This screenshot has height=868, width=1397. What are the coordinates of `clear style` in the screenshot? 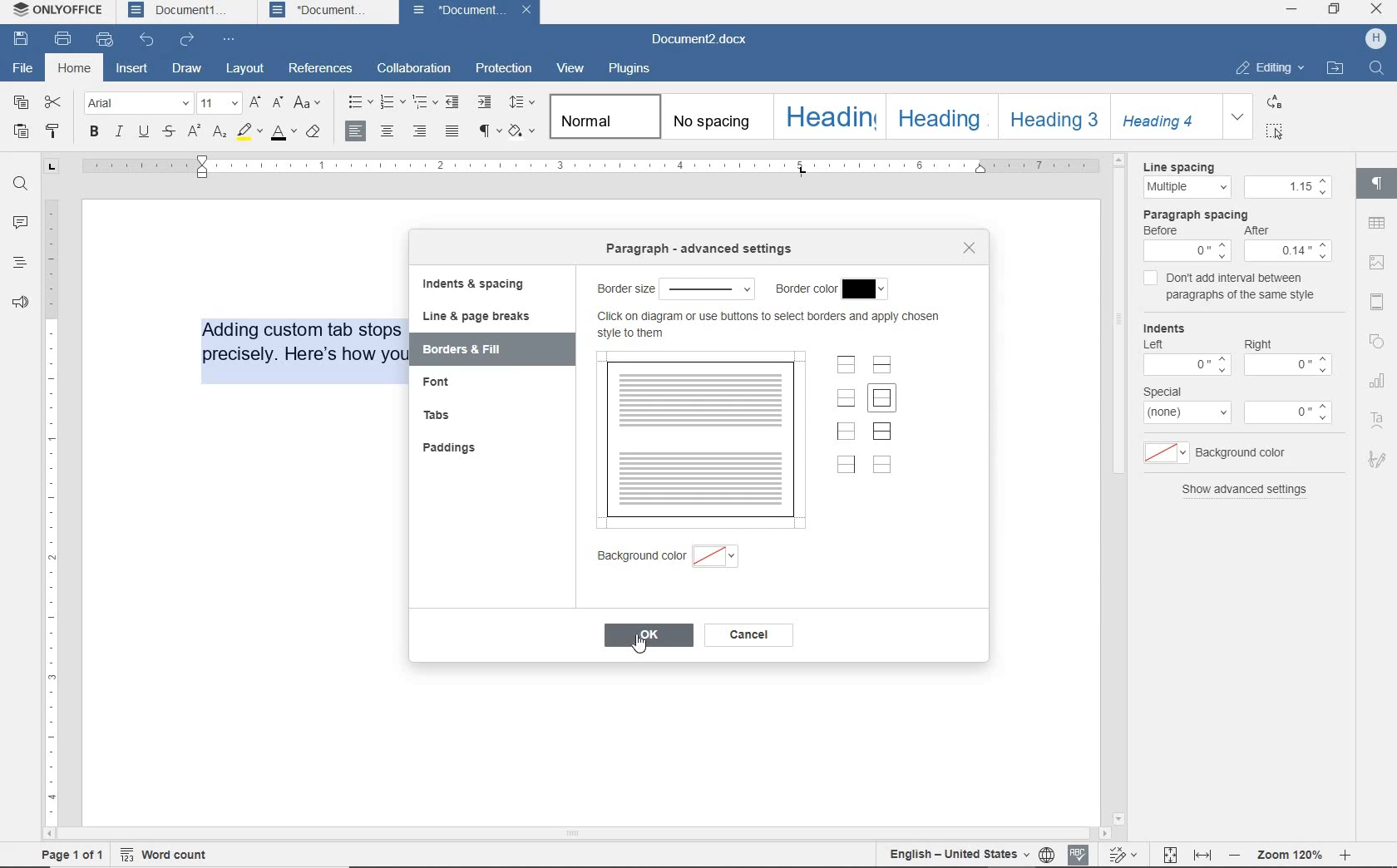 It's located at (317, 134).